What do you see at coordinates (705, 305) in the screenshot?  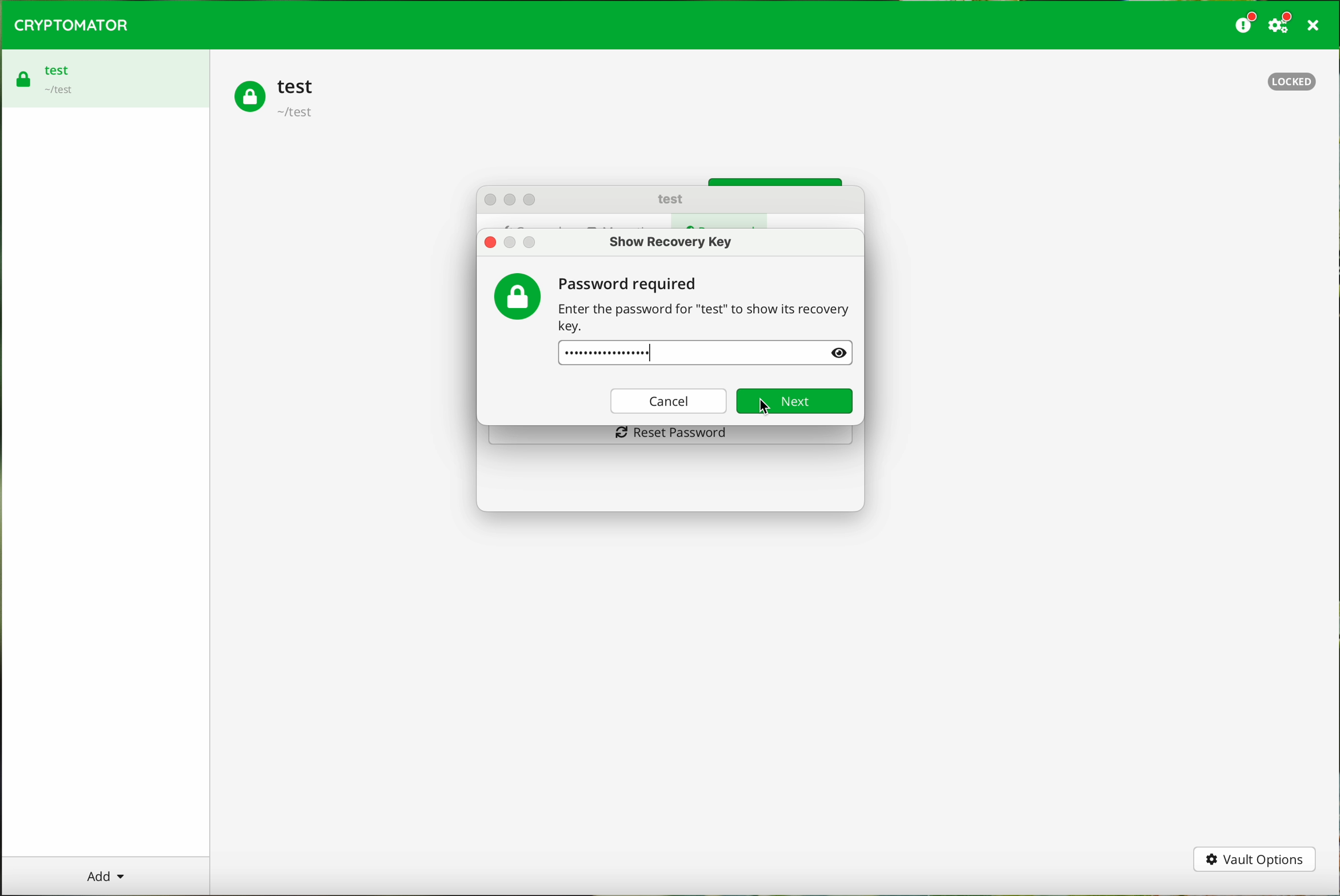 I see `password required` at bounding box center [705, 305].